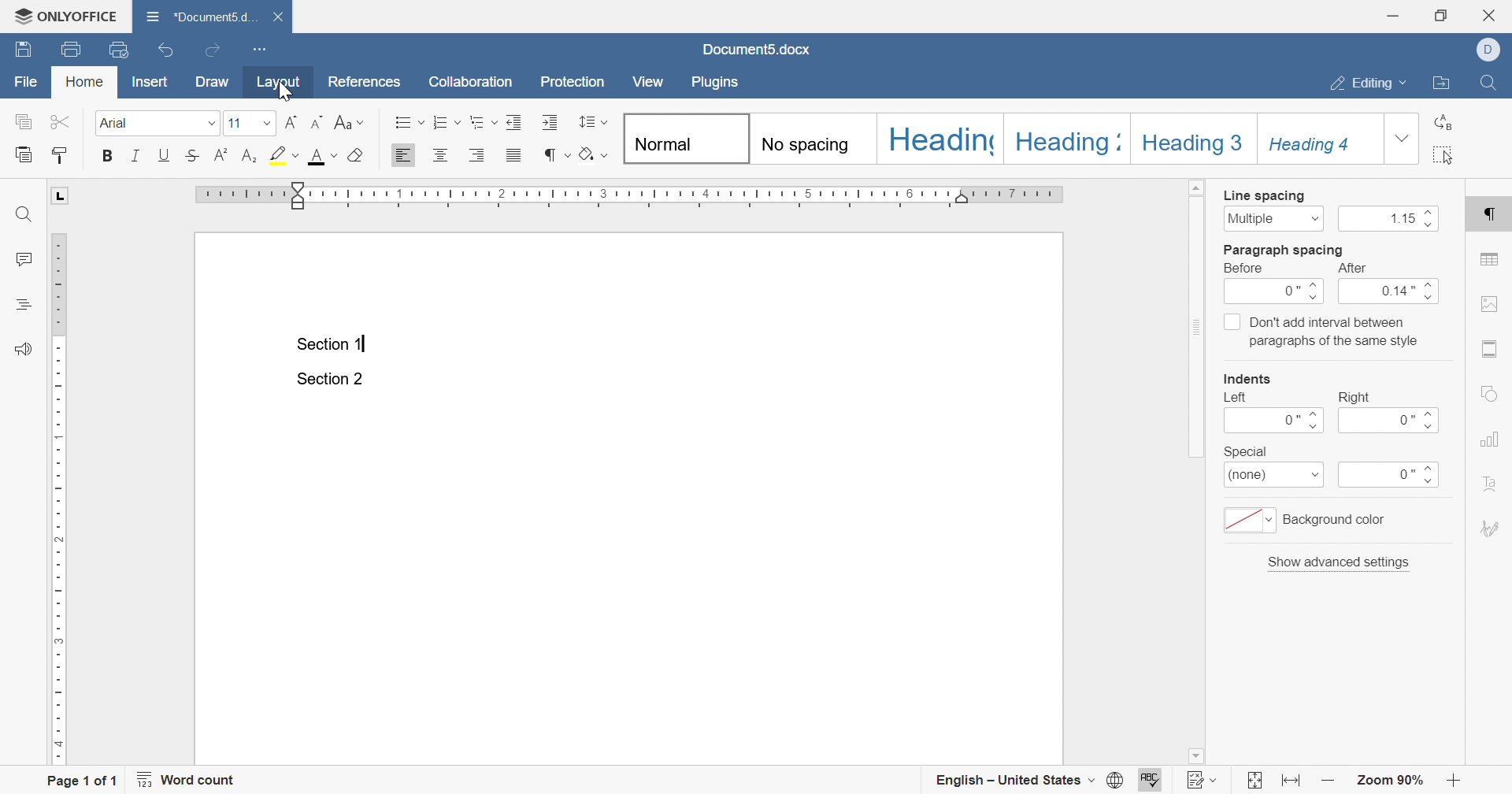 This screenshot has height=794, width=1512. I want to click on (none), so click(1275, 477).